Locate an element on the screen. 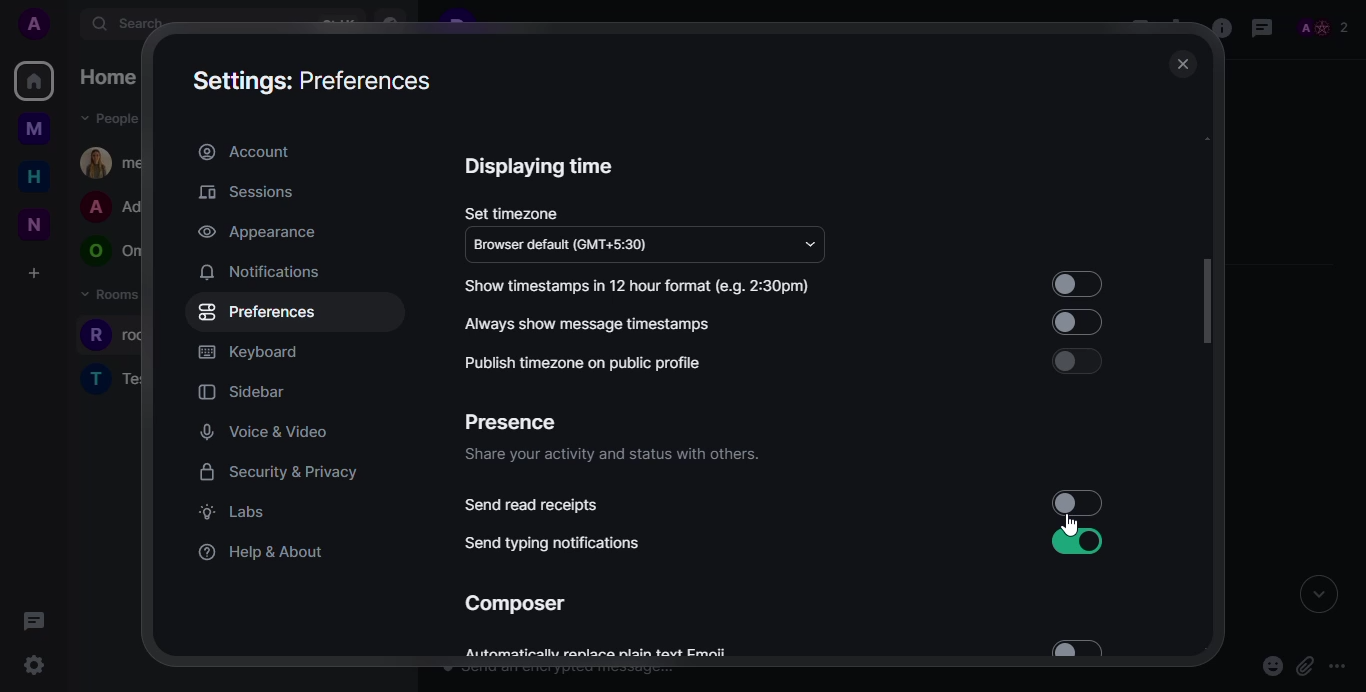 This screenshot has height=692, width=1366. appearance is located at coordinates (255, 233).